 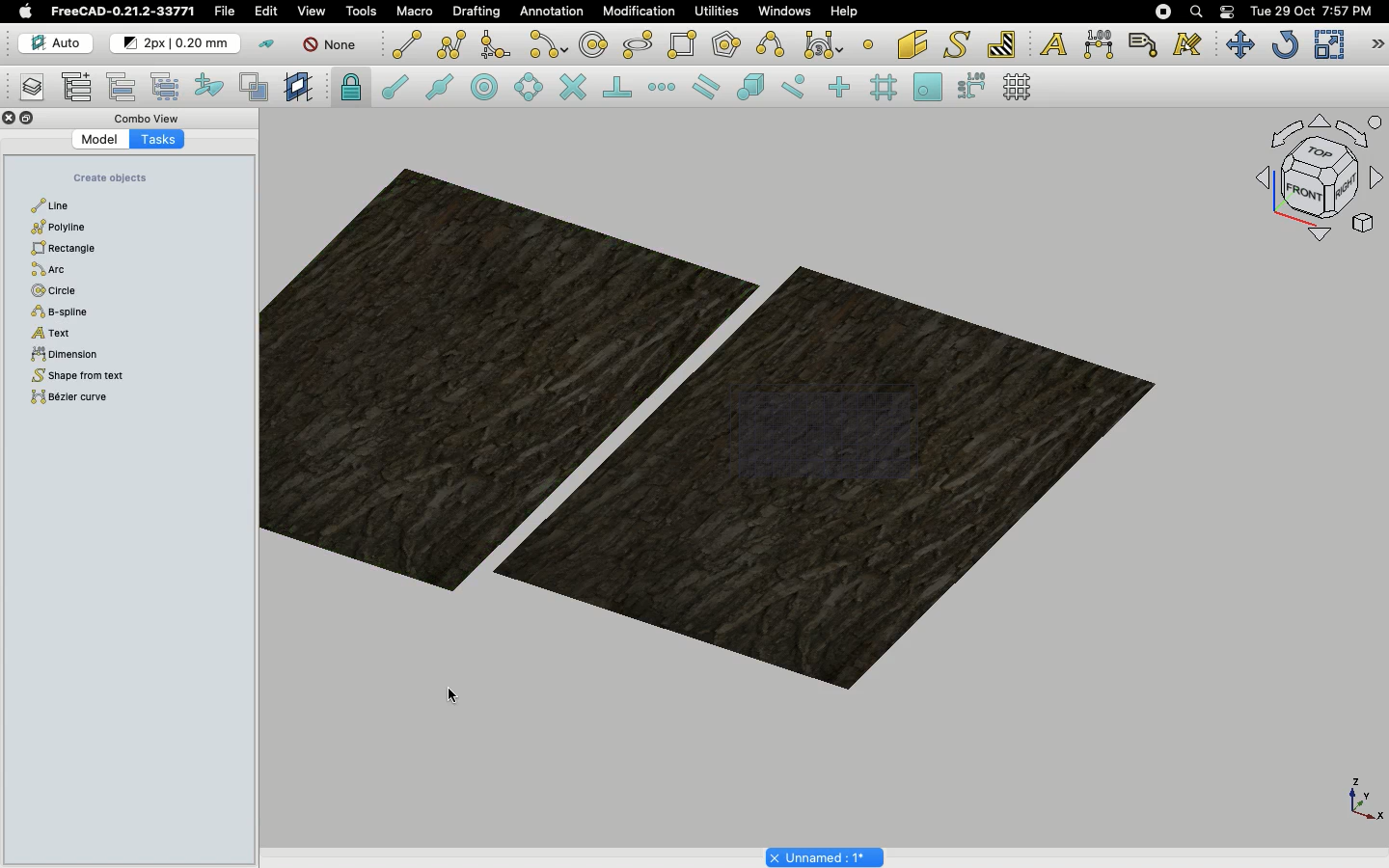 What do you see at coordinates (1361, 798) in the screenshot?
I see `Axis` at bounding box center [1361, 798].